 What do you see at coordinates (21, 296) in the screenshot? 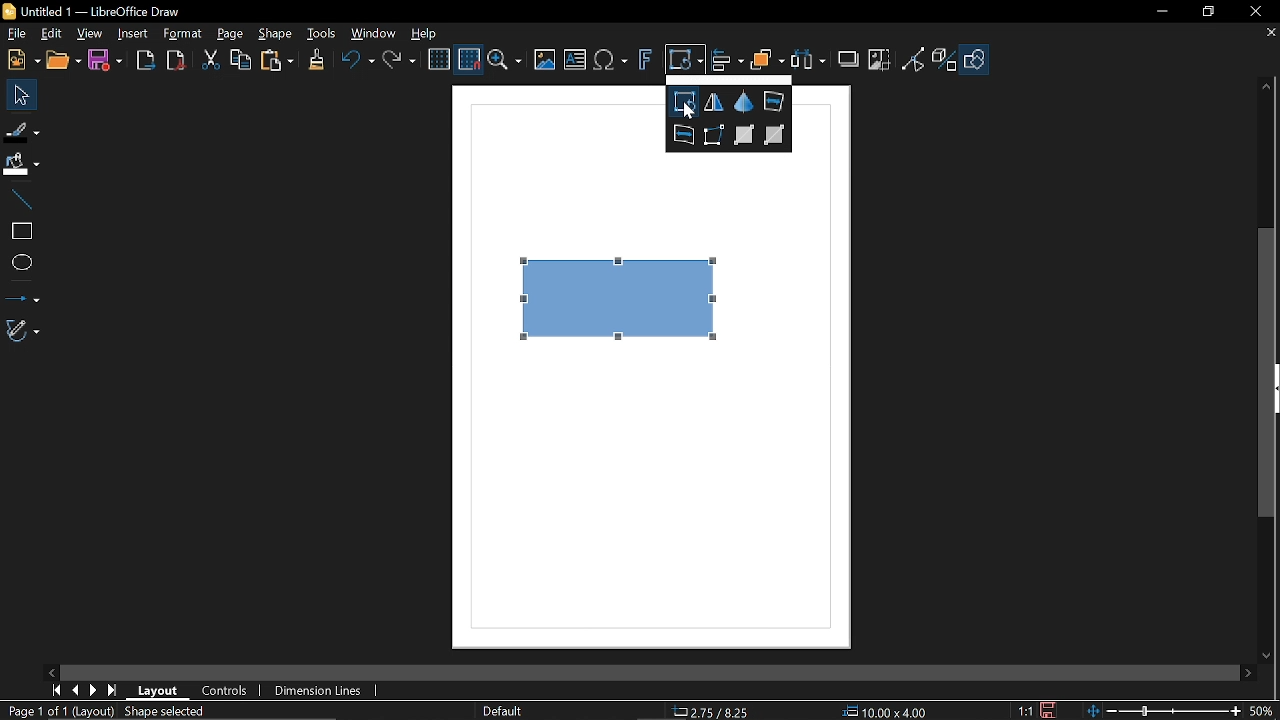
I see `Lines and arrows` at bounding box center [21, 296].